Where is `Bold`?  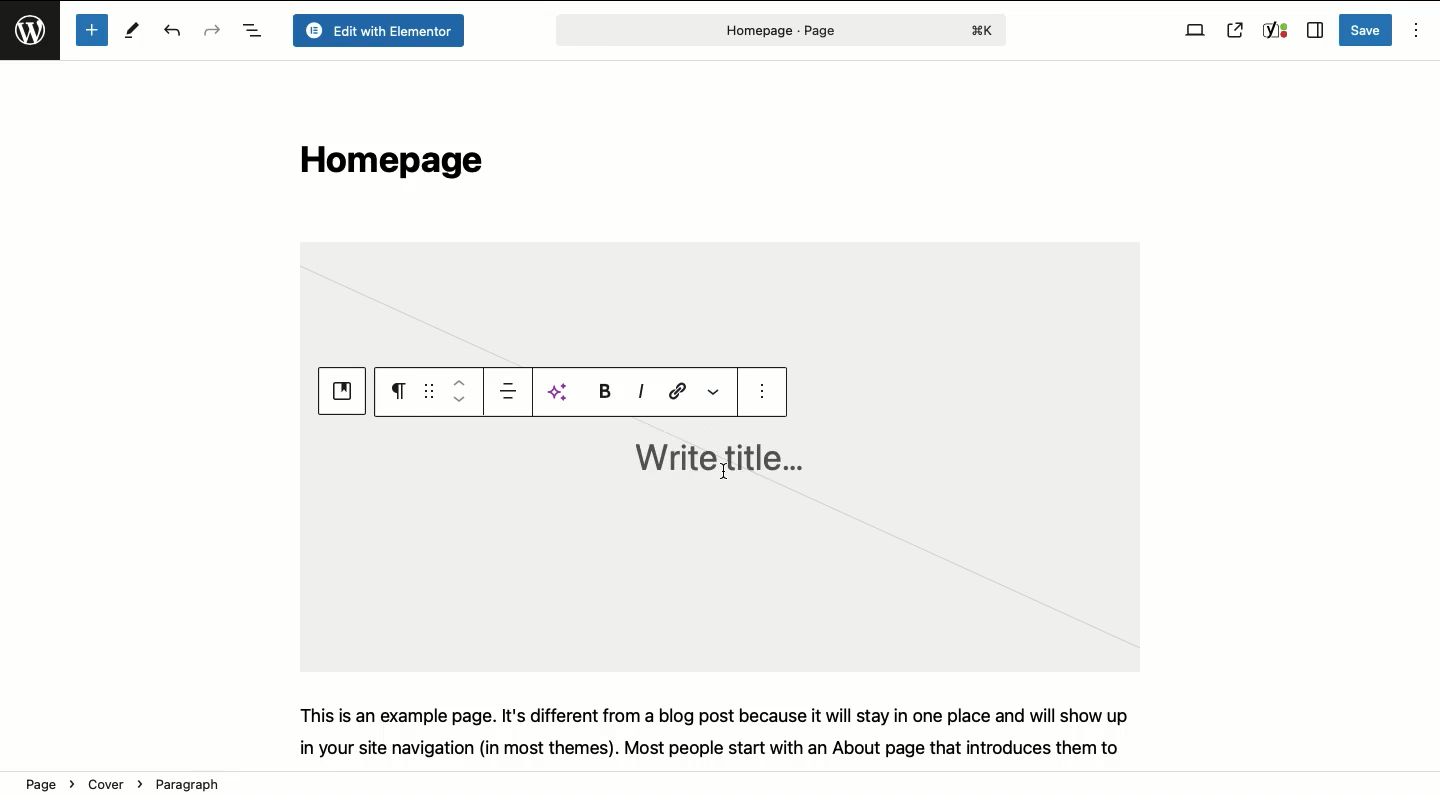
Bold is located at coordinates (603, 391).